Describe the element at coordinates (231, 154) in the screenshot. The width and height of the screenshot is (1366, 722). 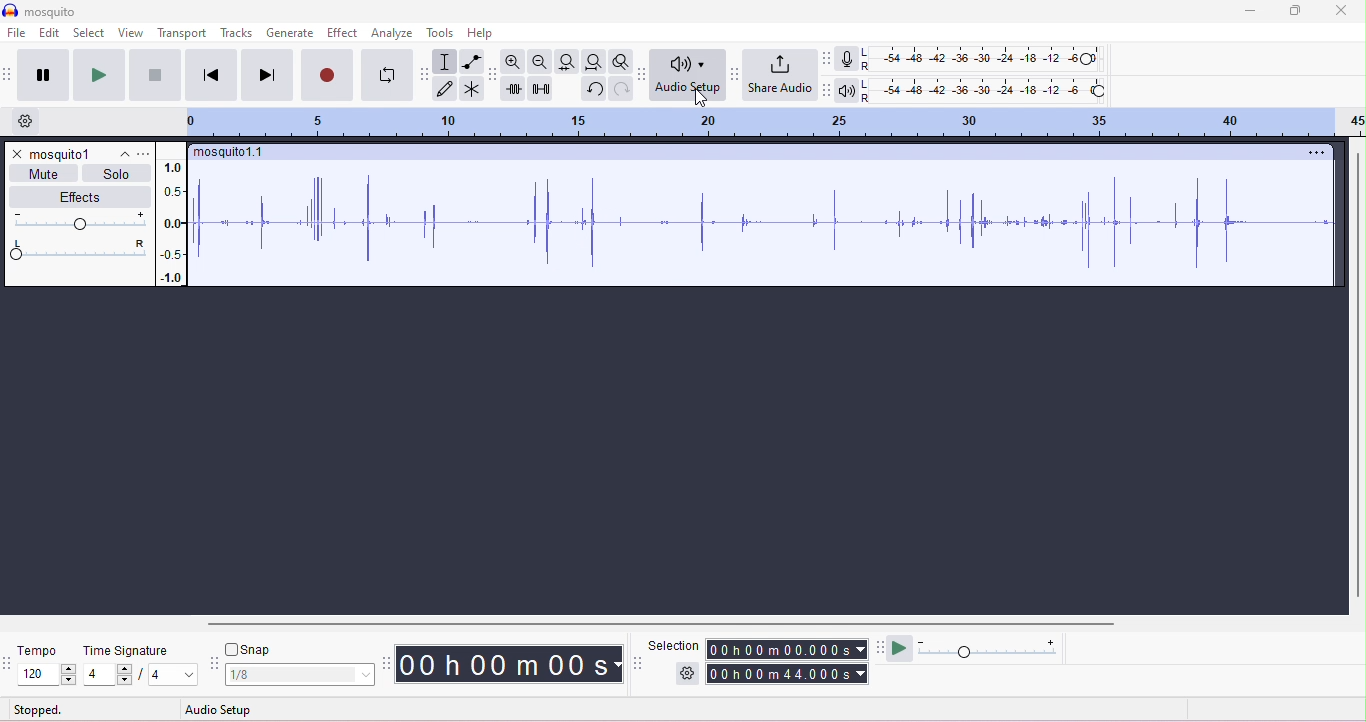
I see `track title` at that location.